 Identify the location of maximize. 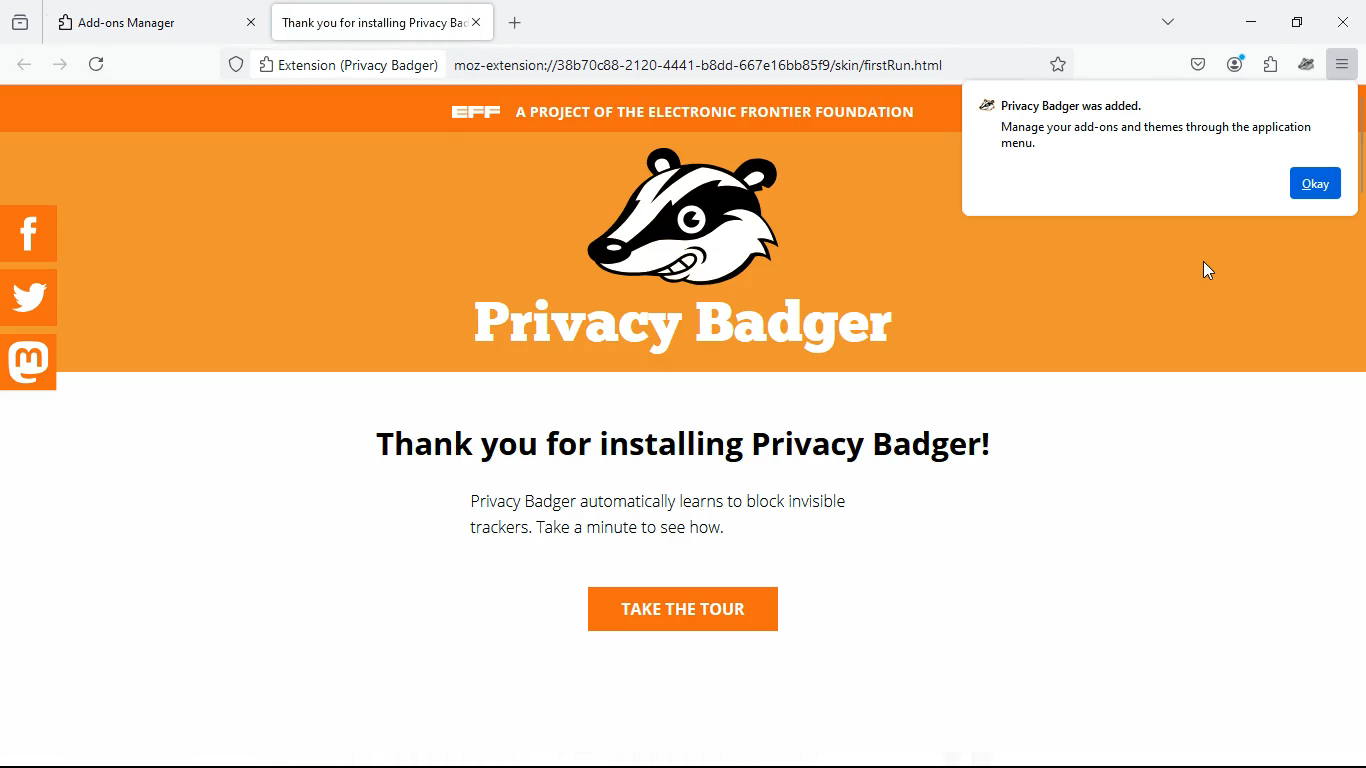
(1295, 22).